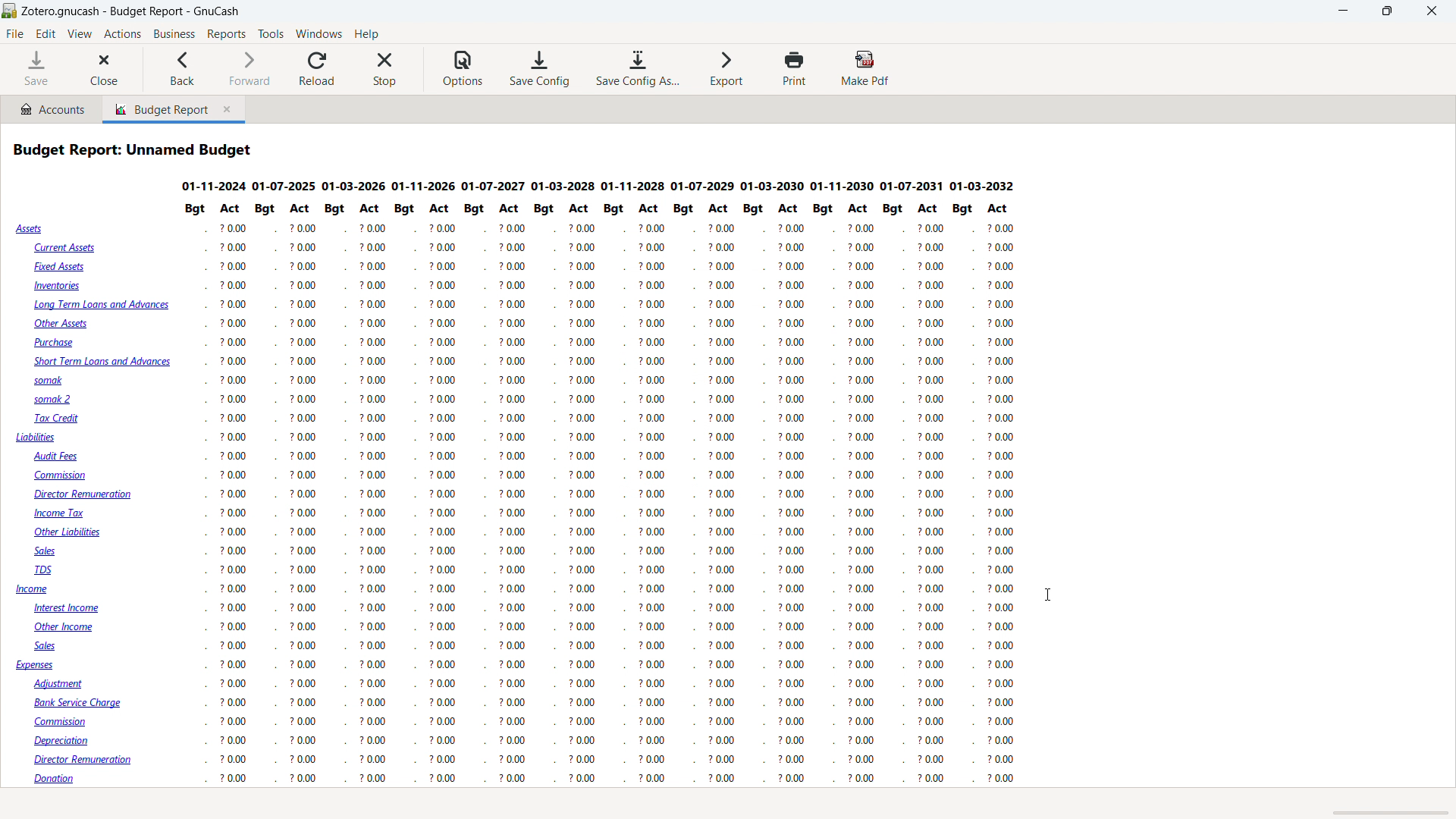  Describe the element at coordinates (61, 287) in the screenshot. I see `Inventories` at that location.